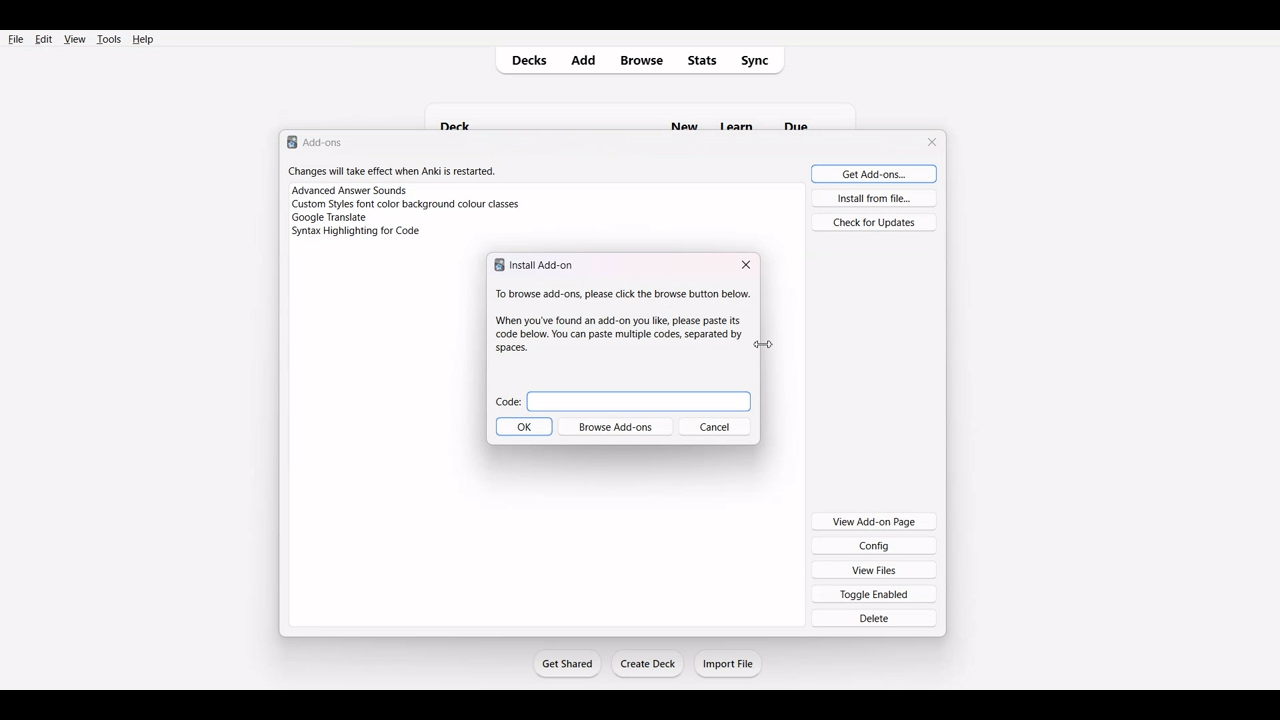 Image resolution: width=1280 pixels, height=720 pixels. Describe the element at coordinates (316, 141) in the screenshot. I see `Text 1` at that location.